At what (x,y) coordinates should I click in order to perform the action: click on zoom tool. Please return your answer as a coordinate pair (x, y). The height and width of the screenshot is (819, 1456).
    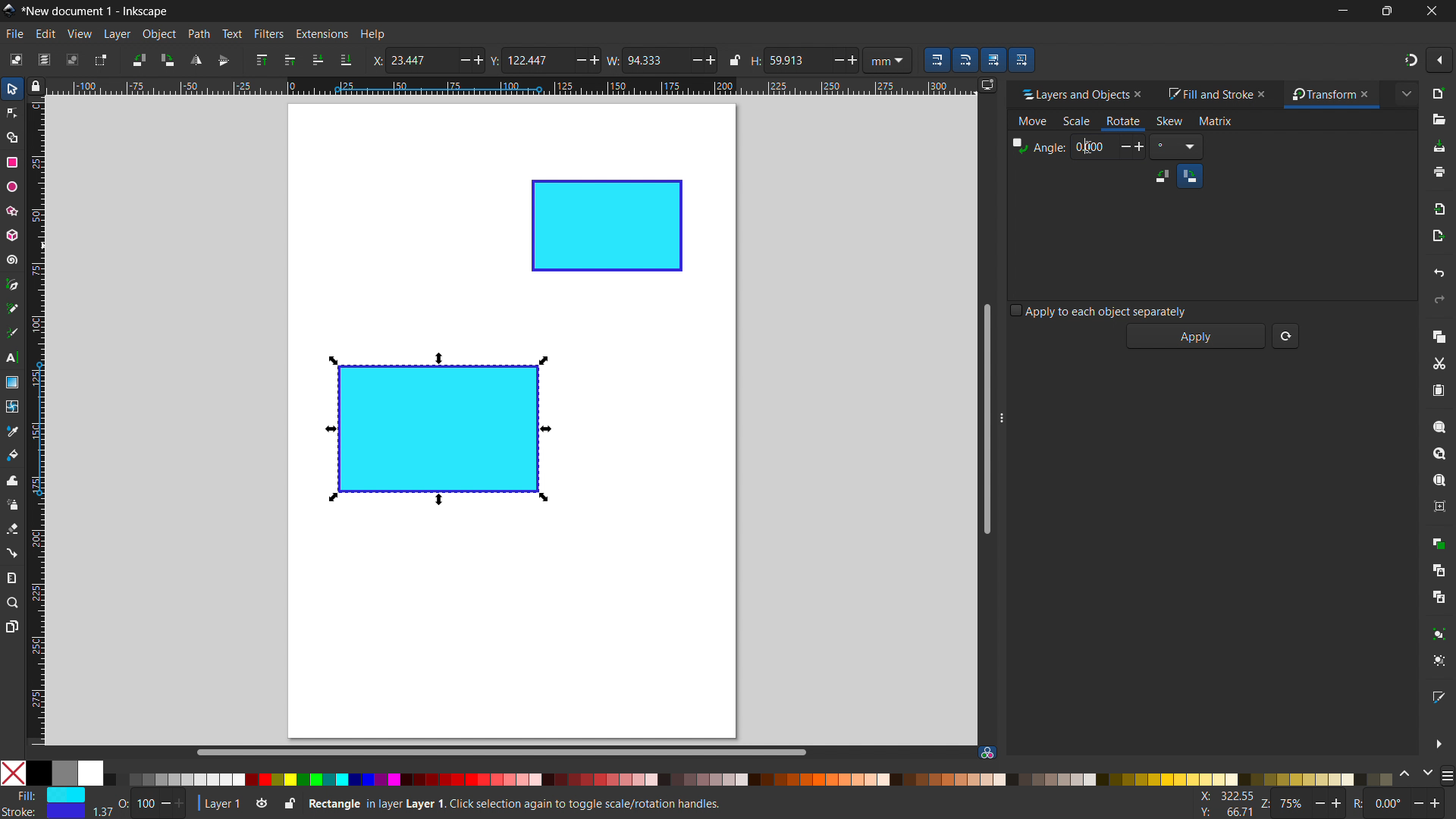
    Looking at the image, I should click on (13, 601).